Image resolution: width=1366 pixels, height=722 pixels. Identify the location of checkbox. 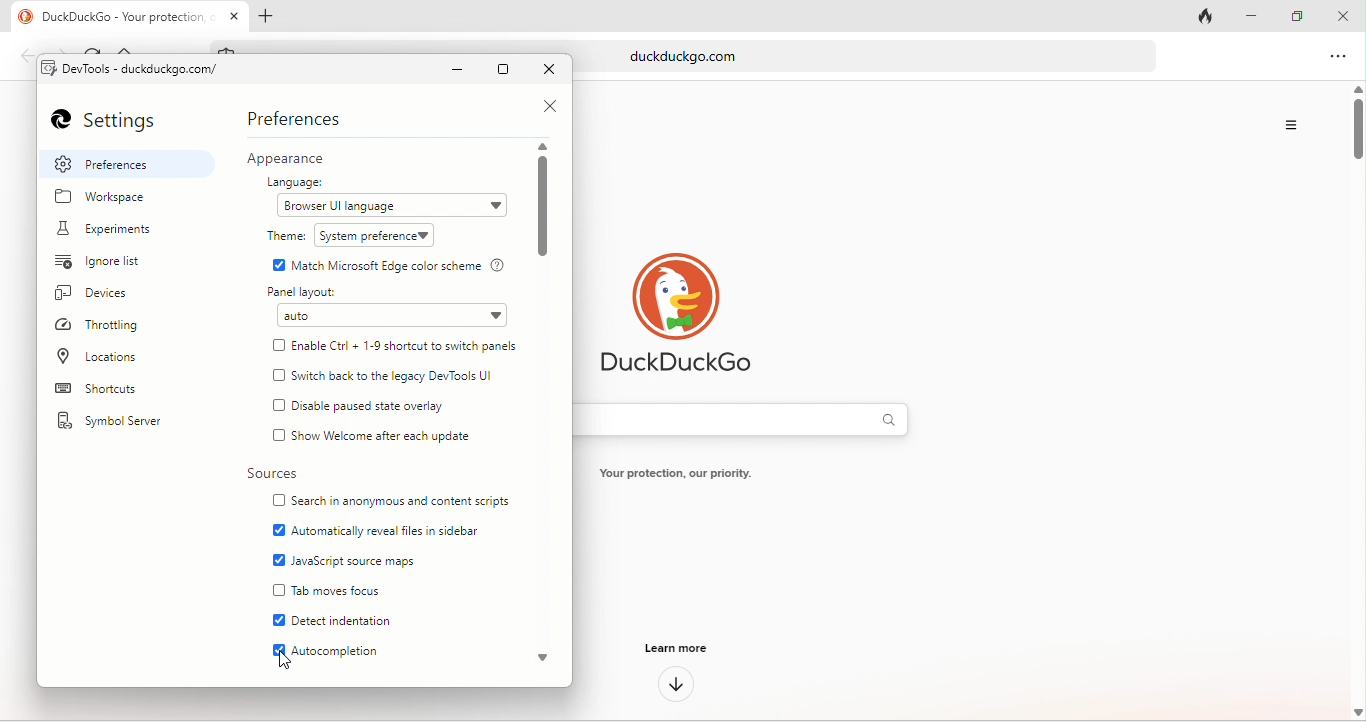
(280, 406).